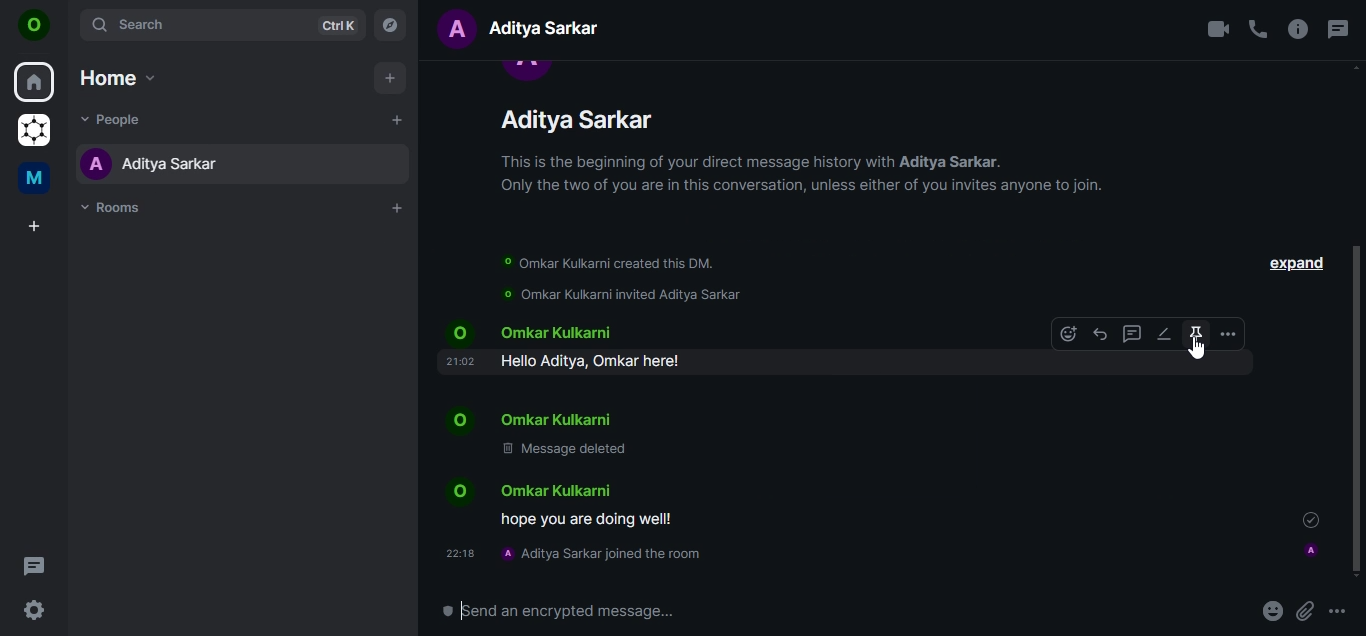 This screenshot has width=1366, height=636. I want to click on me, so click(35, 177).